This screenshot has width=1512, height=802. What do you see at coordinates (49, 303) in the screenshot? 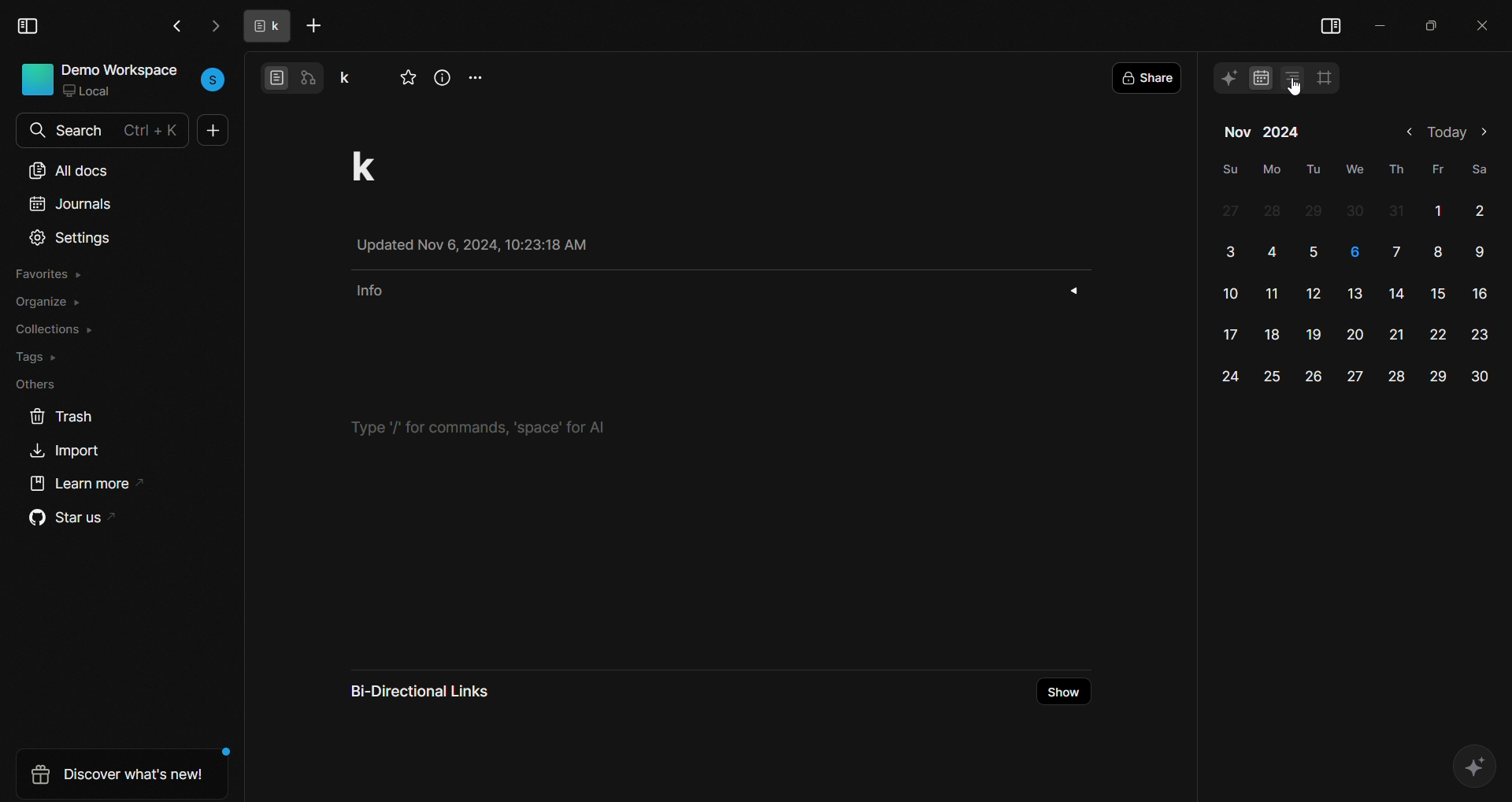
I see `organize` at bounding box center [49, 303].